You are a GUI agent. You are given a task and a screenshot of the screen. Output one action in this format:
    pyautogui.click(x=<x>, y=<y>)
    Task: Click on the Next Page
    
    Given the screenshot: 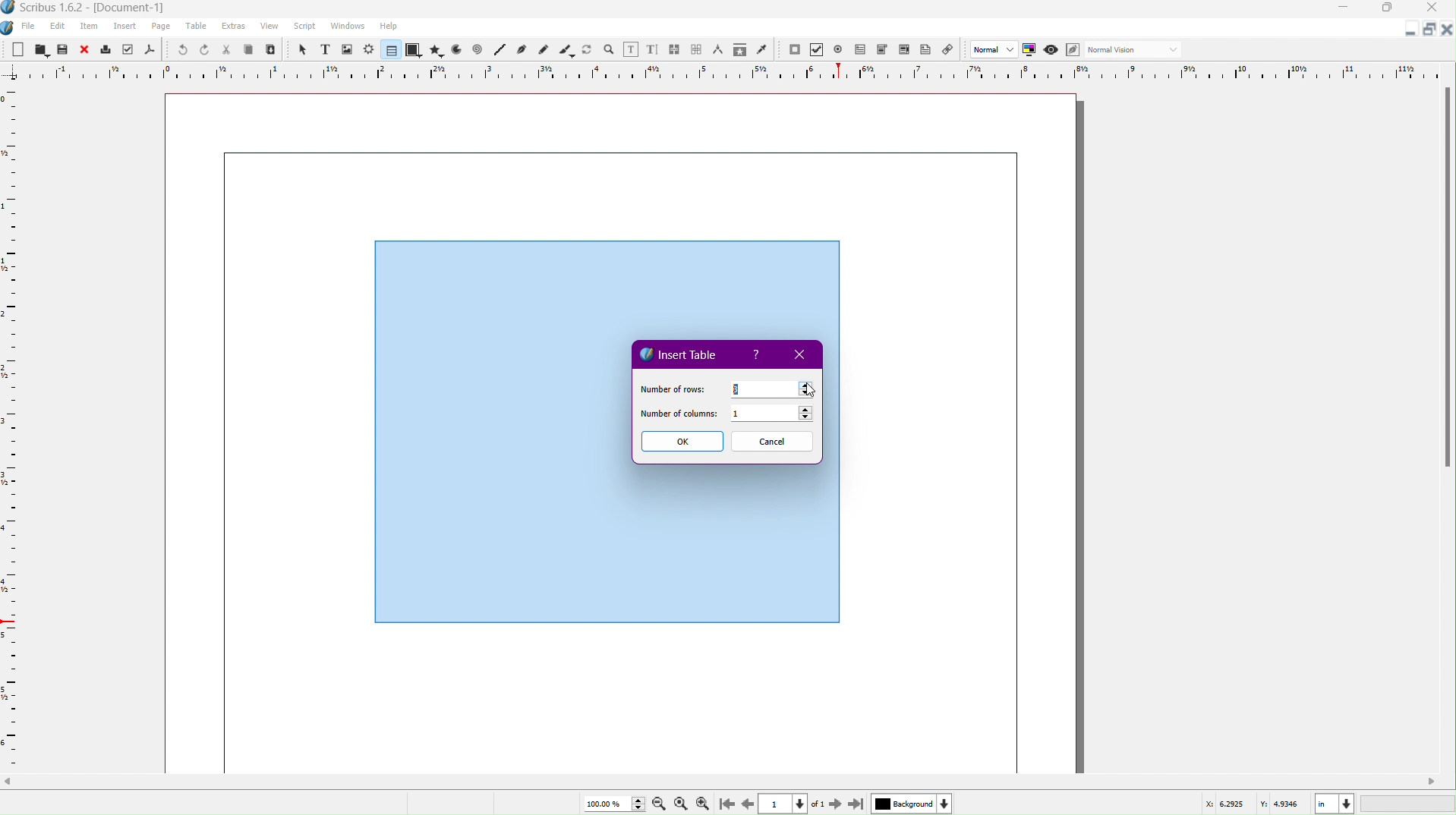 What is the action you would take?
    pyautogui.click(x=833, y=803)
    